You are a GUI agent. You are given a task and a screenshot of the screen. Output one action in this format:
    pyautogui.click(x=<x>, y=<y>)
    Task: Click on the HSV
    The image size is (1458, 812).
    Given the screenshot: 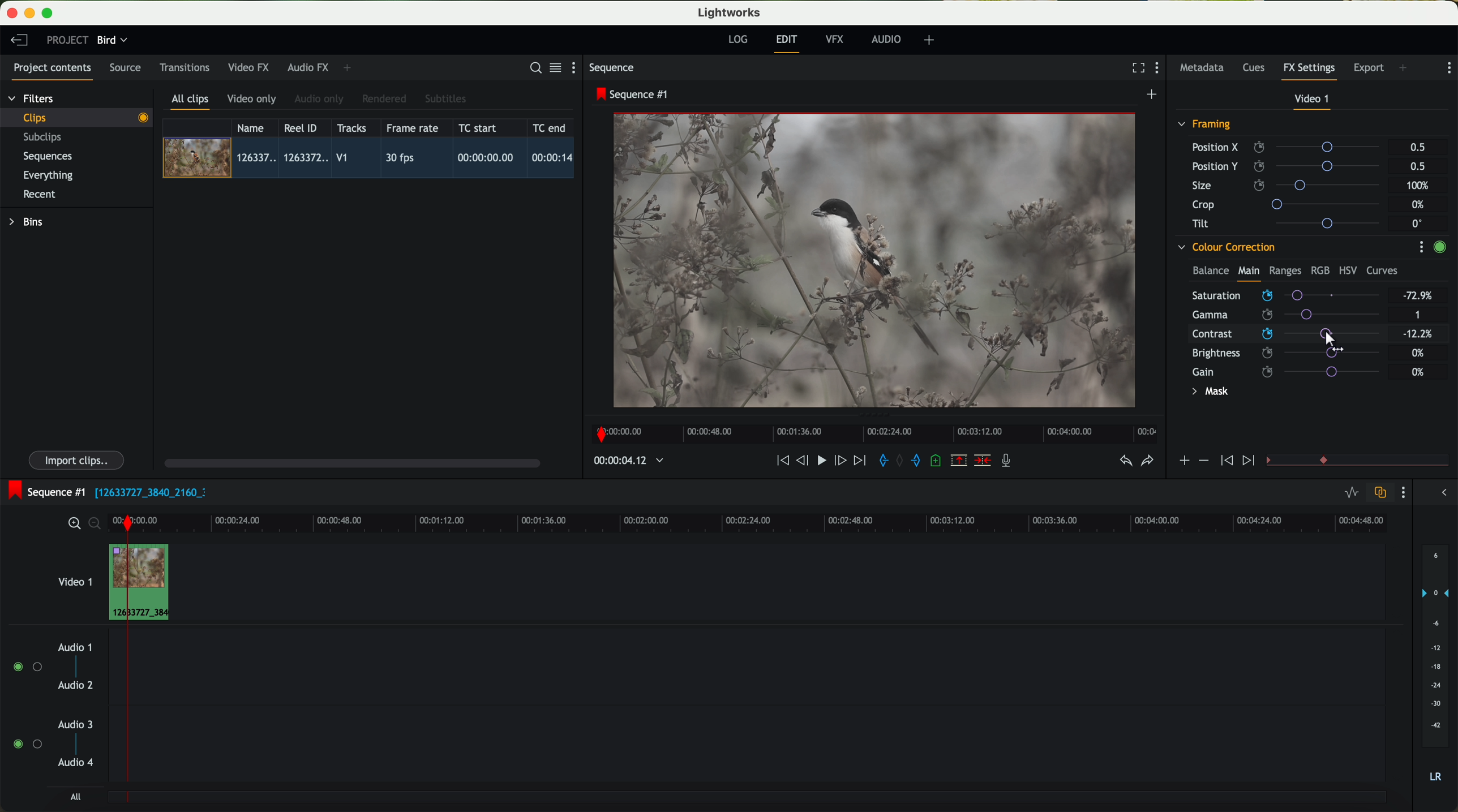 What is the action you would take?
    pyautogui.click(x=1347, y=270)
    